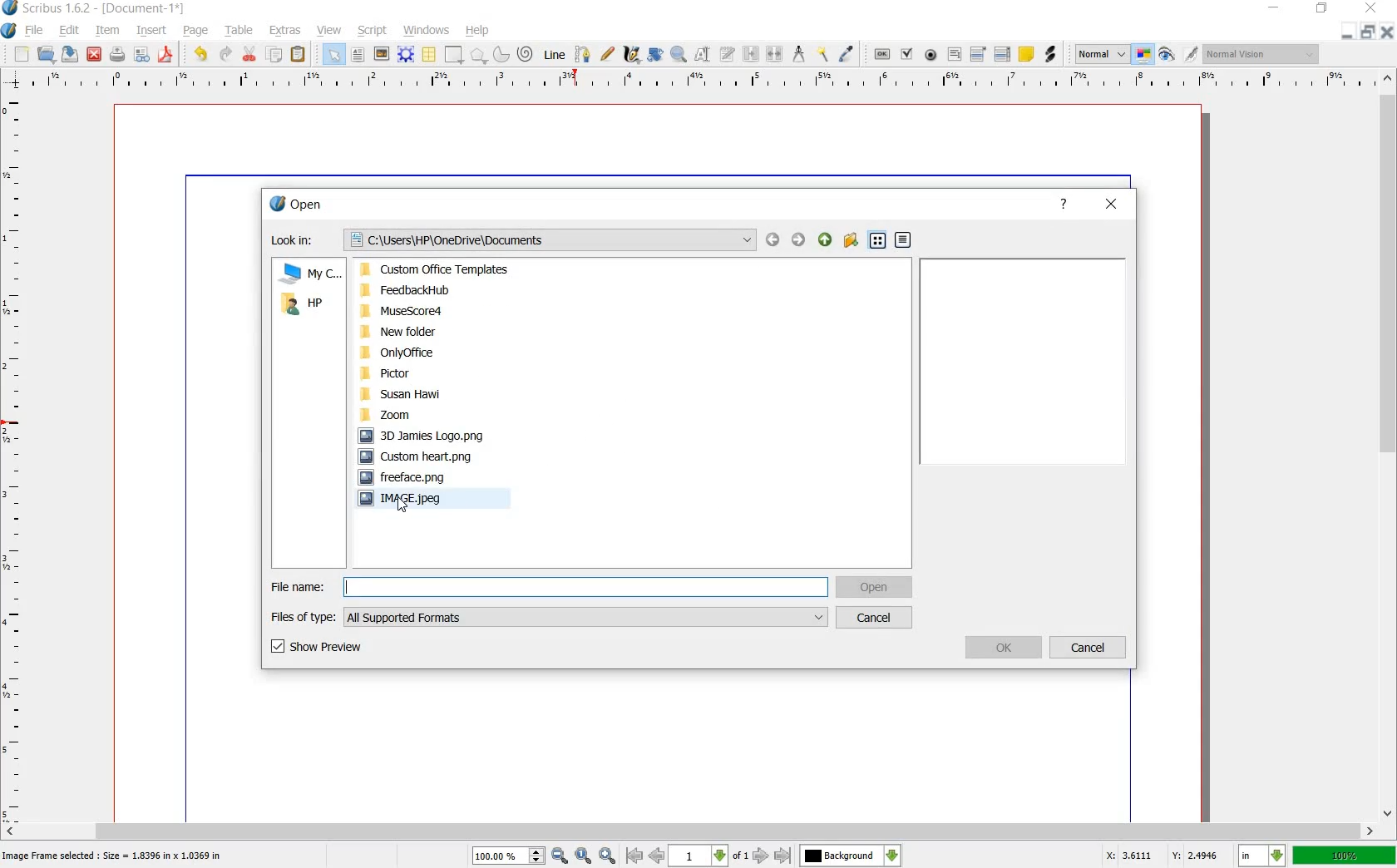 The image size is (1397, 868). Describe the element at coordinates (19, 457) in the screenshot. I see `ruler` at that location.